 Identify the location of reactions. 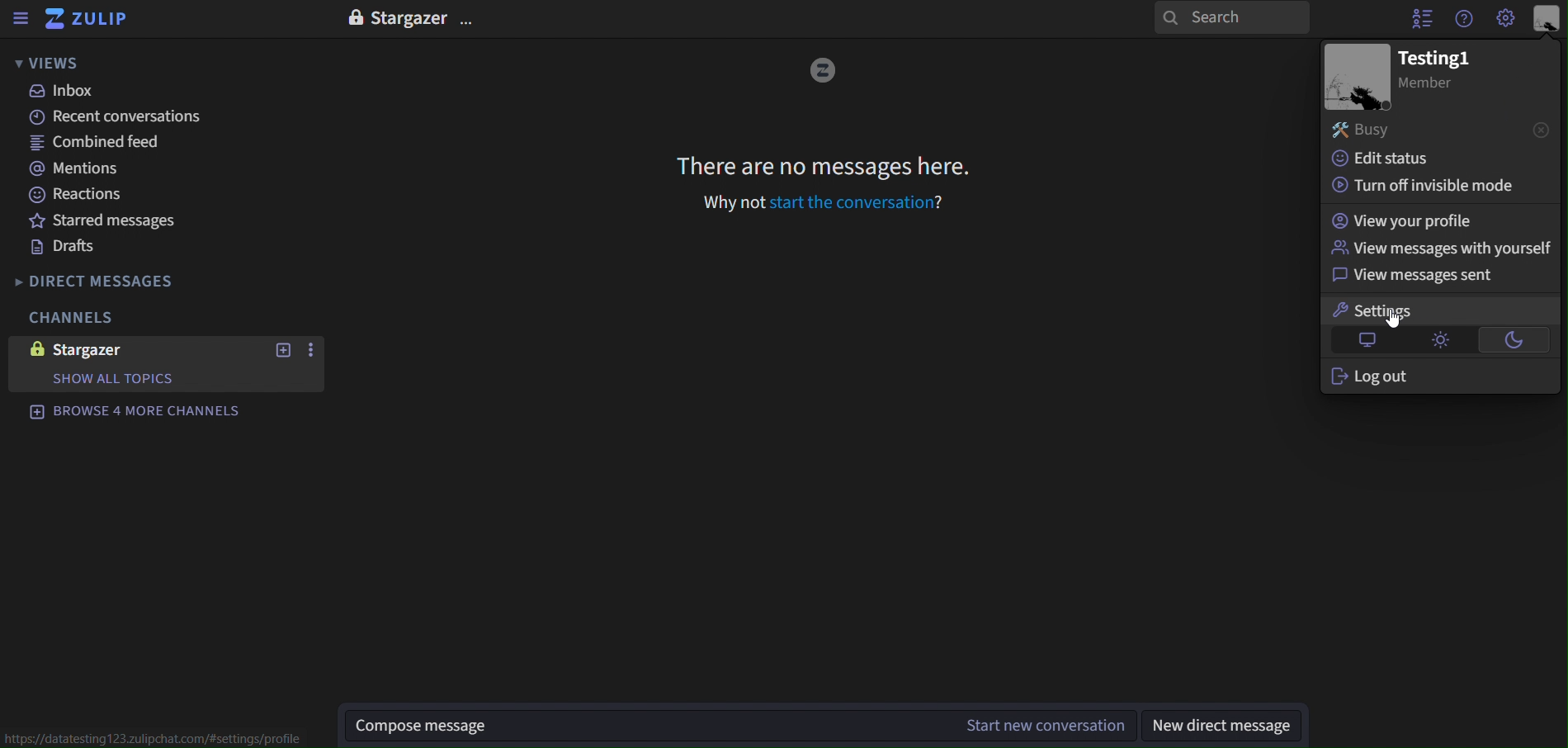
(77, 196).